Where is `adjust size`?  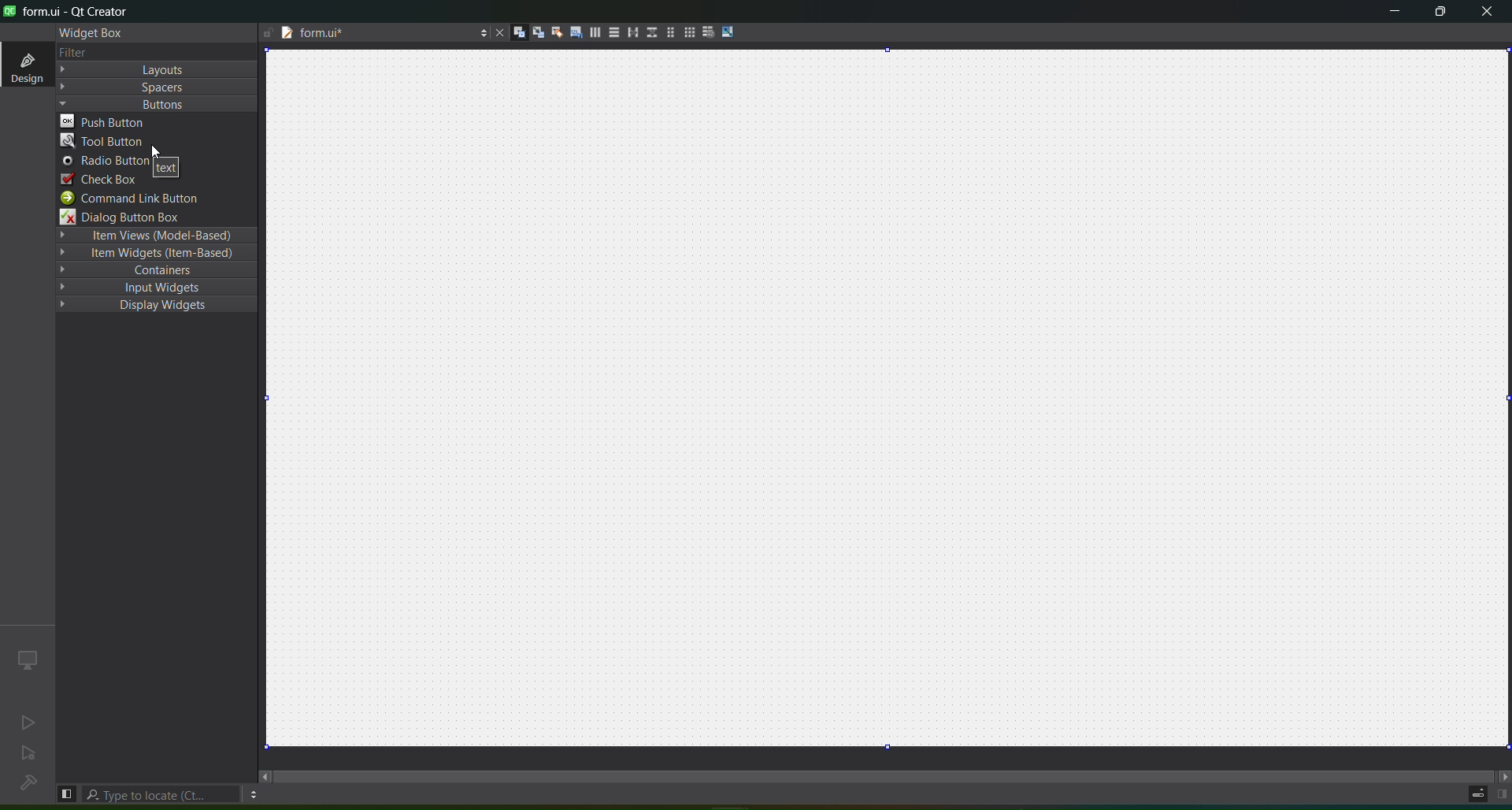
adjust size is located at coordinates (728, 32).